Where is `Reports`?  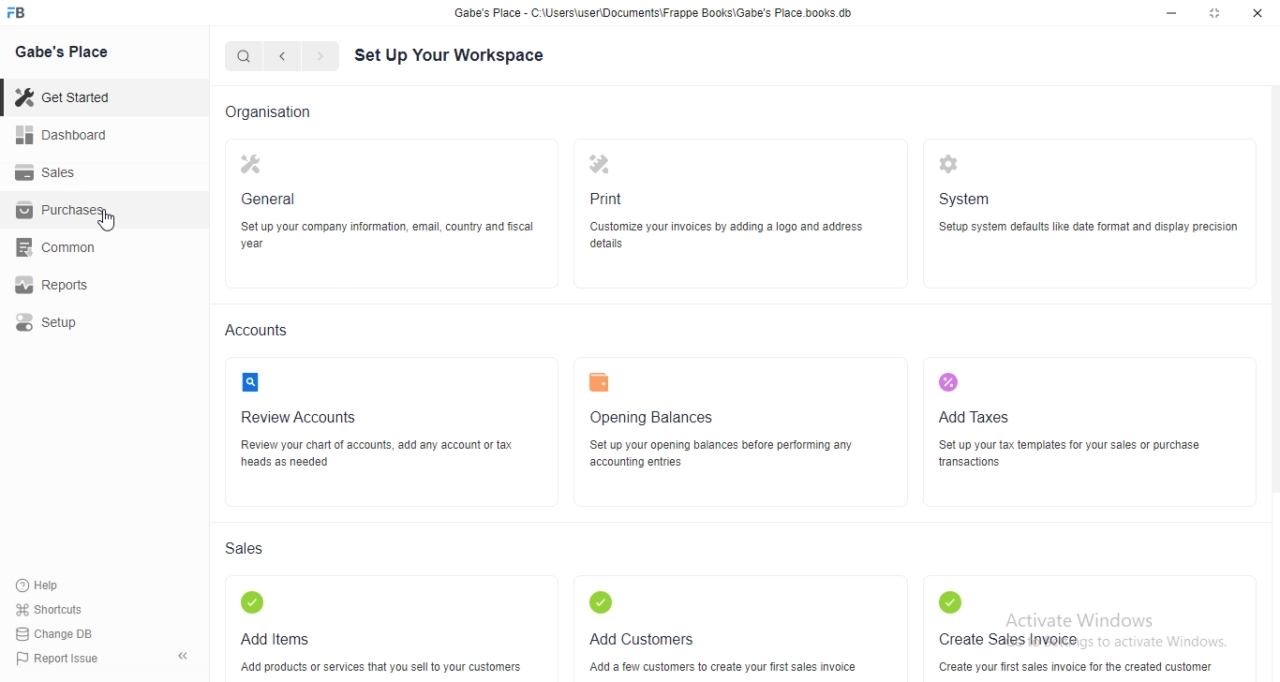
Reports is located at coordinates (104, 285).